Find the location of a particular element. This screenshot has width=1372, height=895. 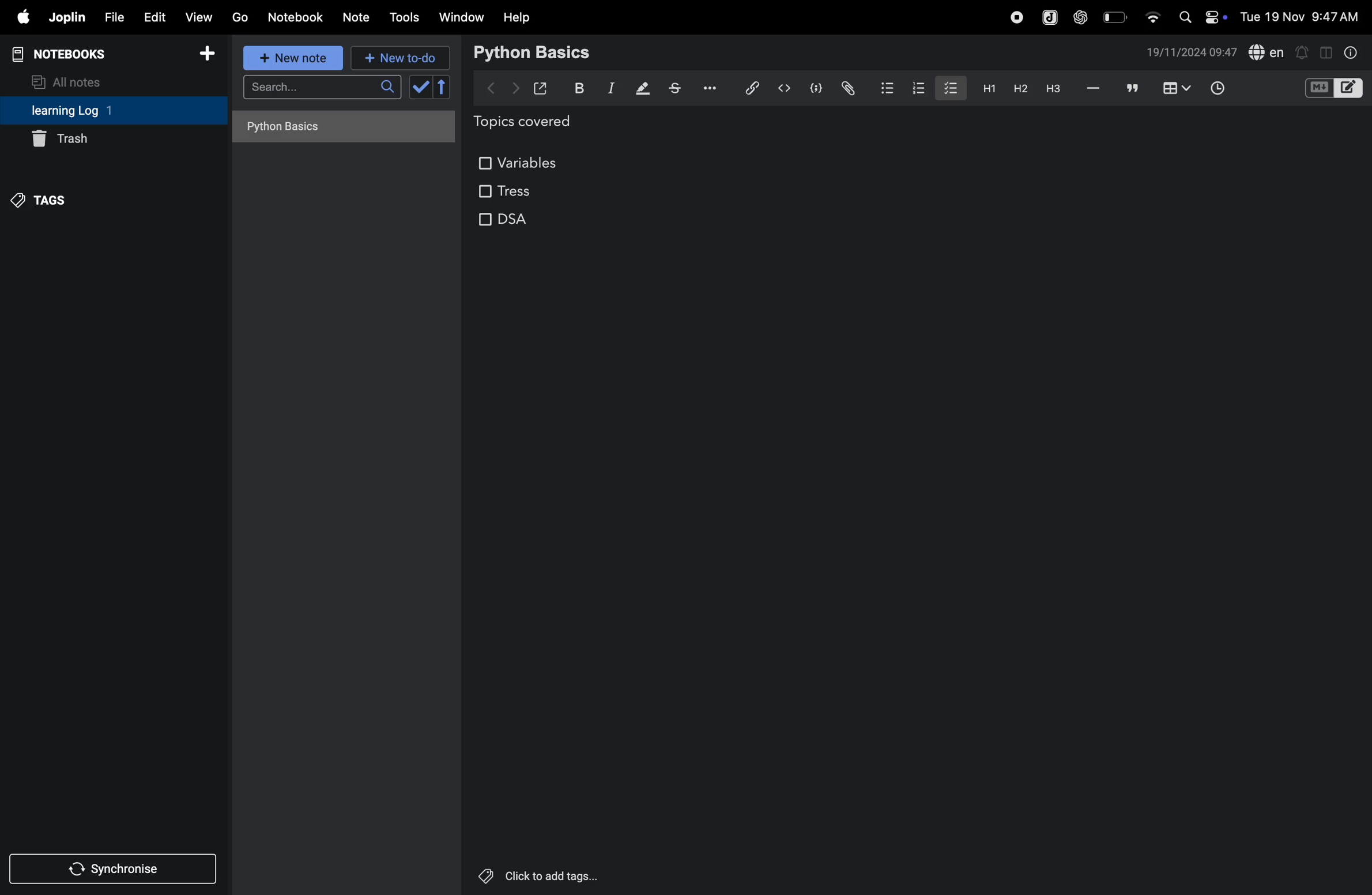

window is located at coordinates (462, 17).